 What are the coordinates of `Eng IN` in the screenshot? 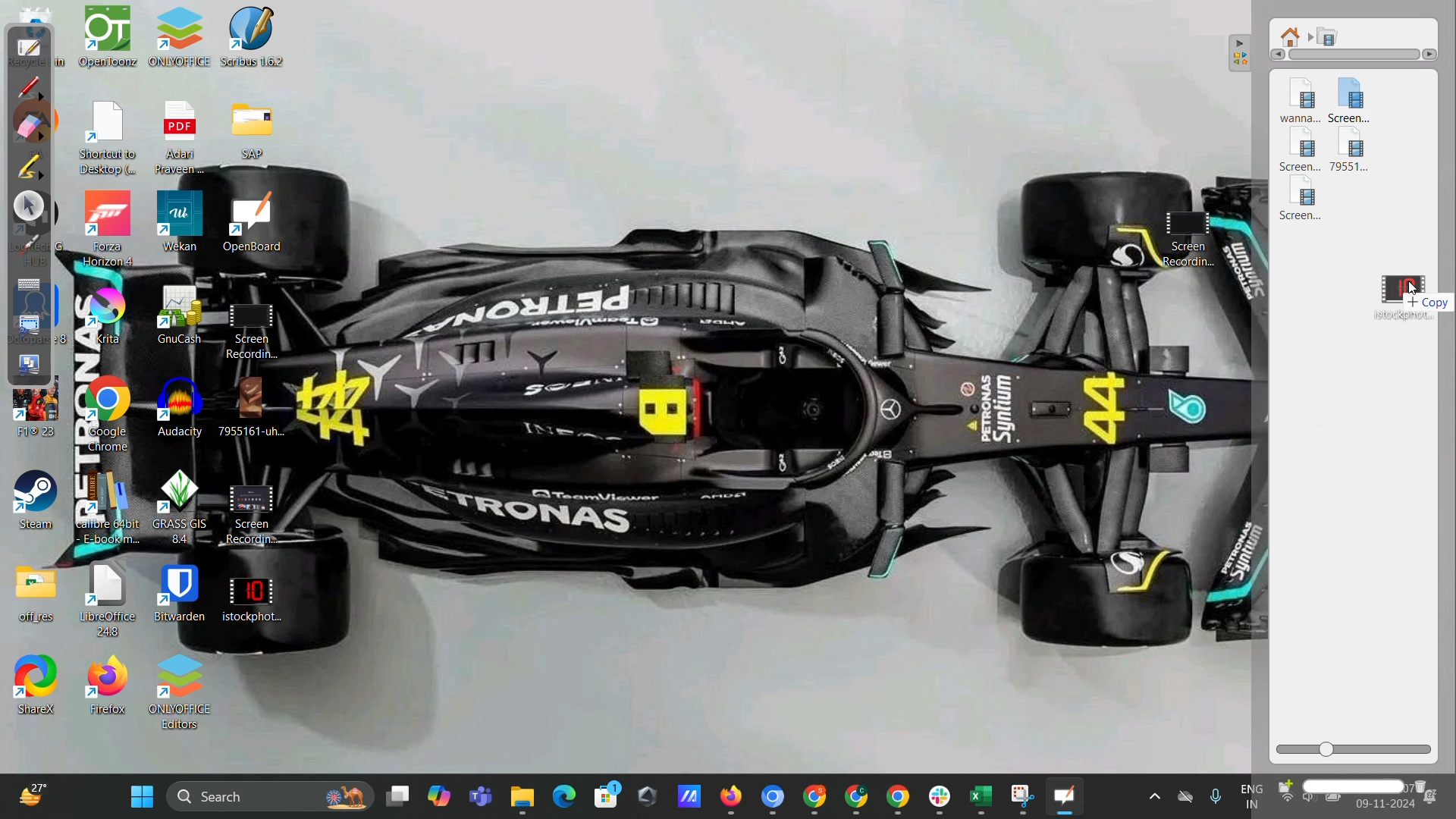 It's located at (1247, 797).